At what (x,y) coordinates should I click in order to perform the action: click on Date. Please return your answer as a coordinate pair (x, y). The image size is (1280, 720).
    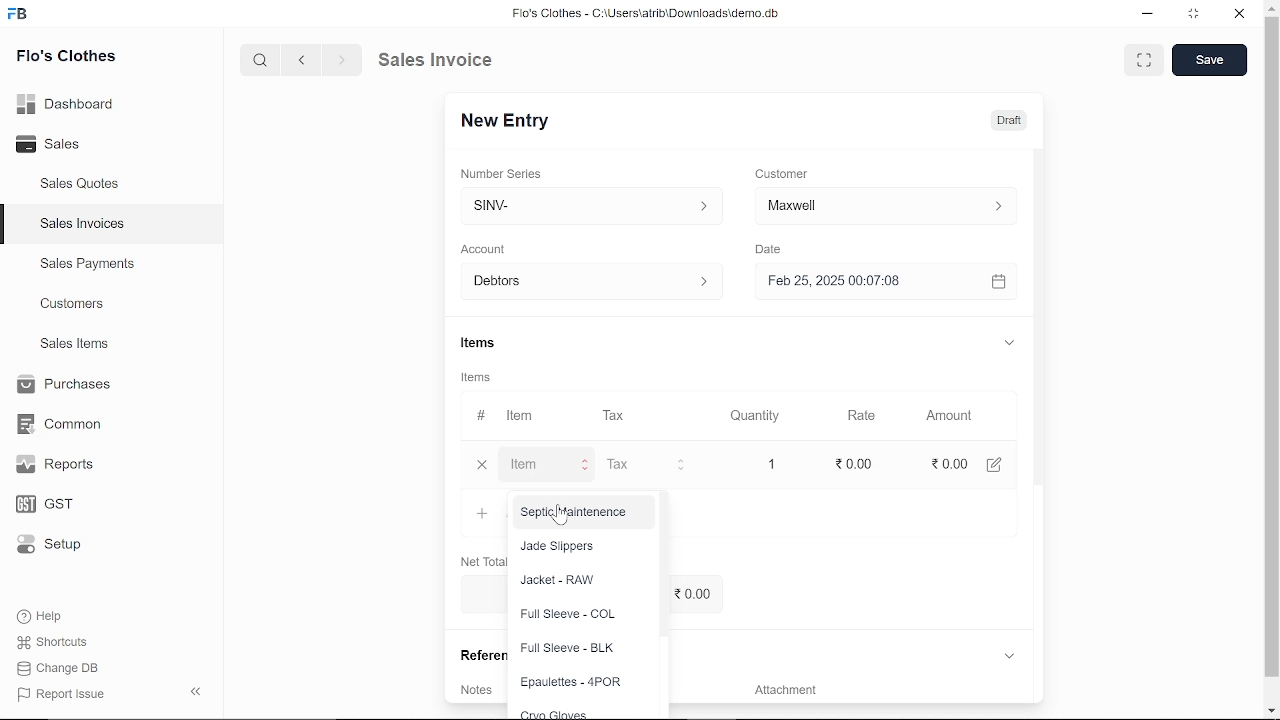
    Looking at the image, I should click on (780, 249).